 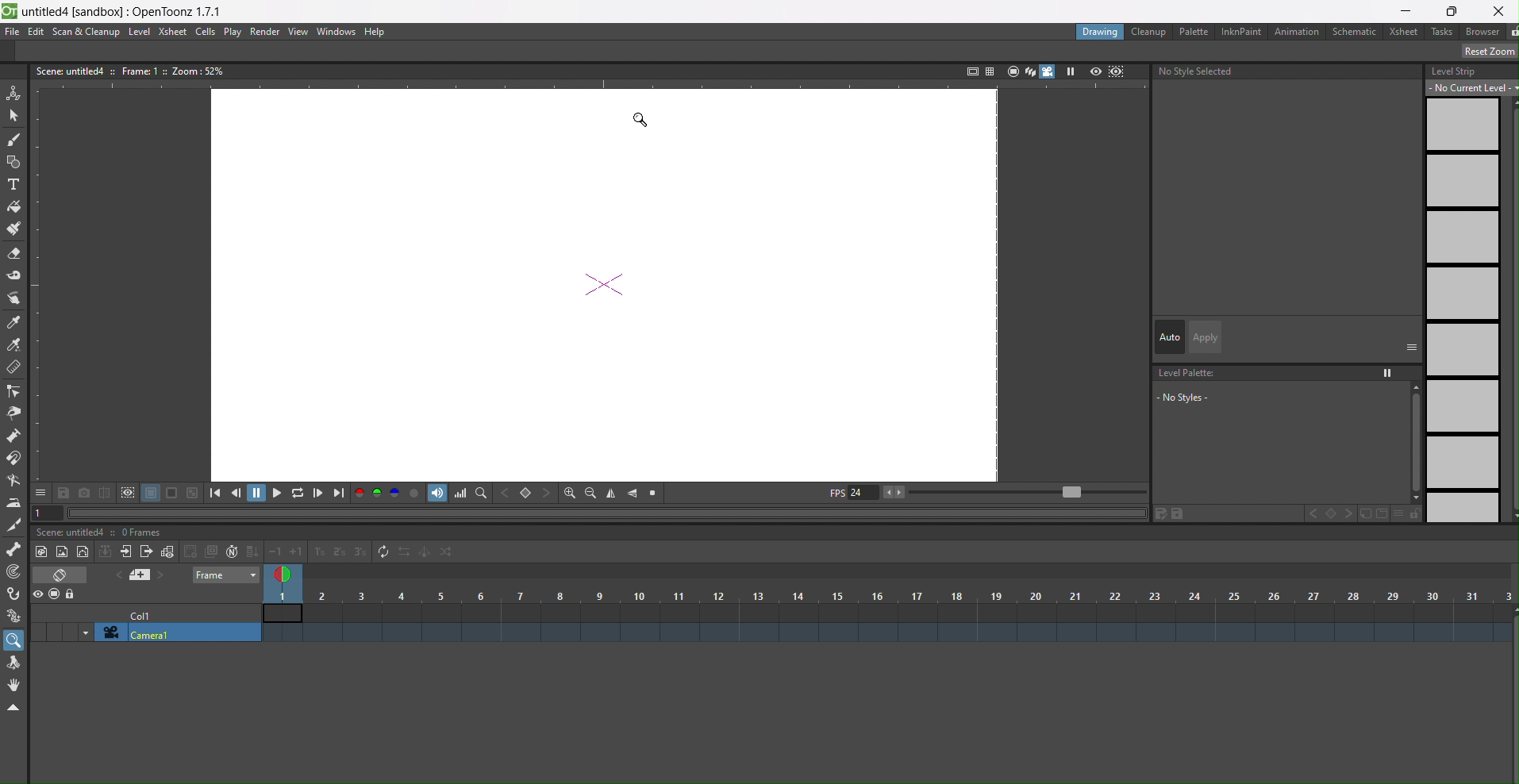 I want to click on icon, so click(x=200, y=551).